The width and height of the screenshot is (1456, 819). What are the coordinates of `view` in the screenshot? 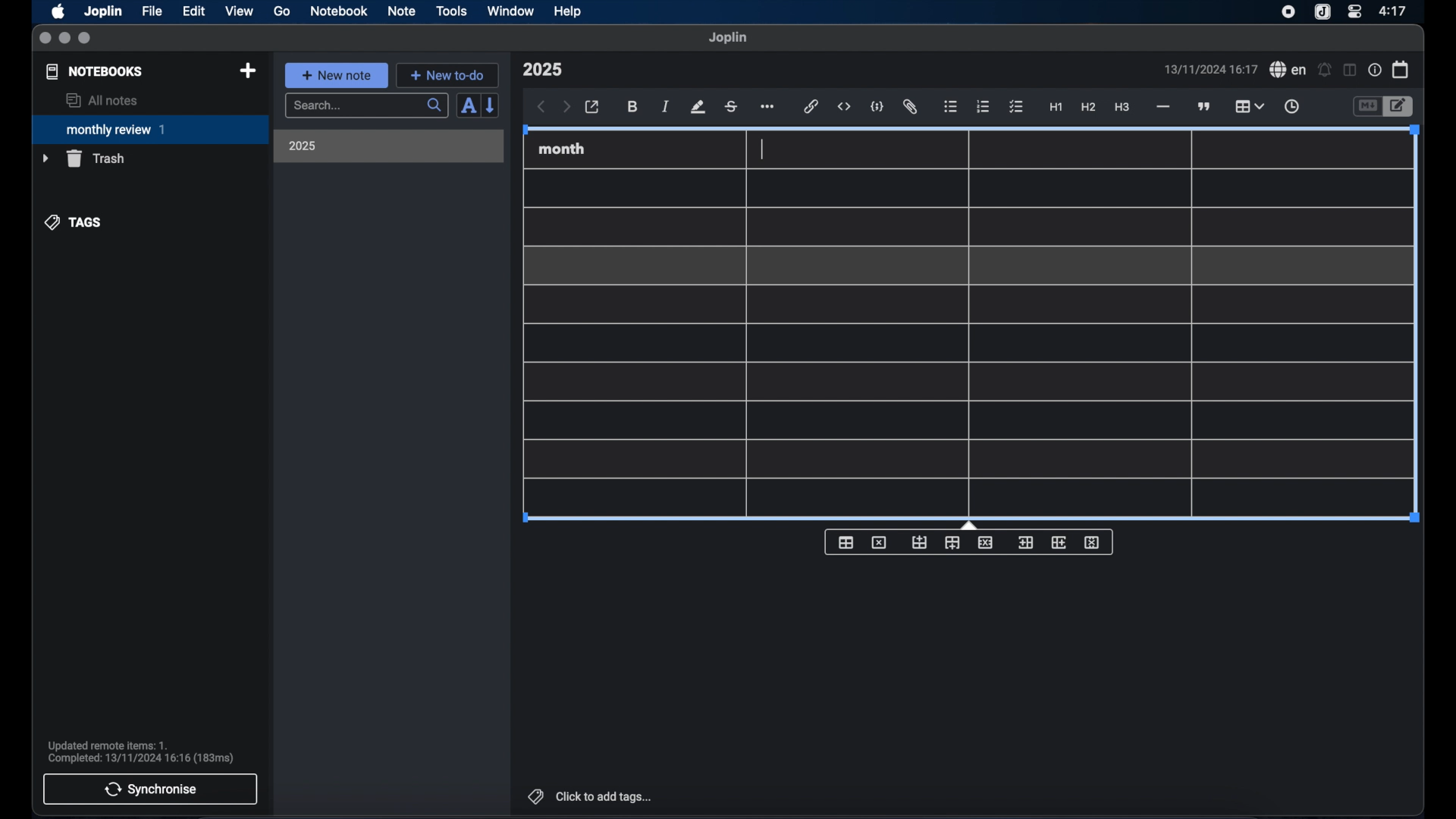 It's located at (239, 11).